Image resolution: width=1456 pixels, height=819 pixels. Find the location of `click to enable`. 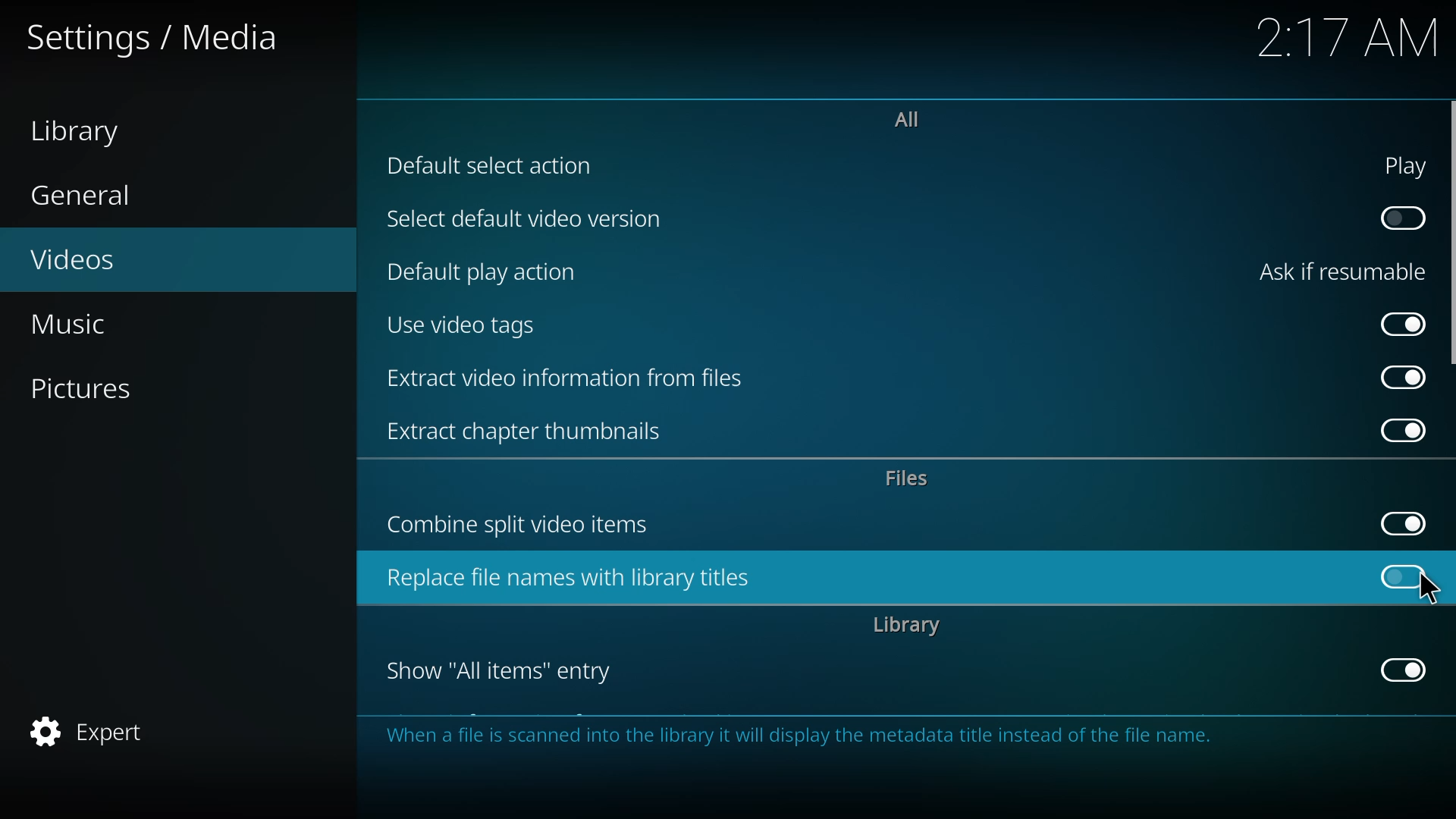

click to enable is located at coordinates (1399, 579).